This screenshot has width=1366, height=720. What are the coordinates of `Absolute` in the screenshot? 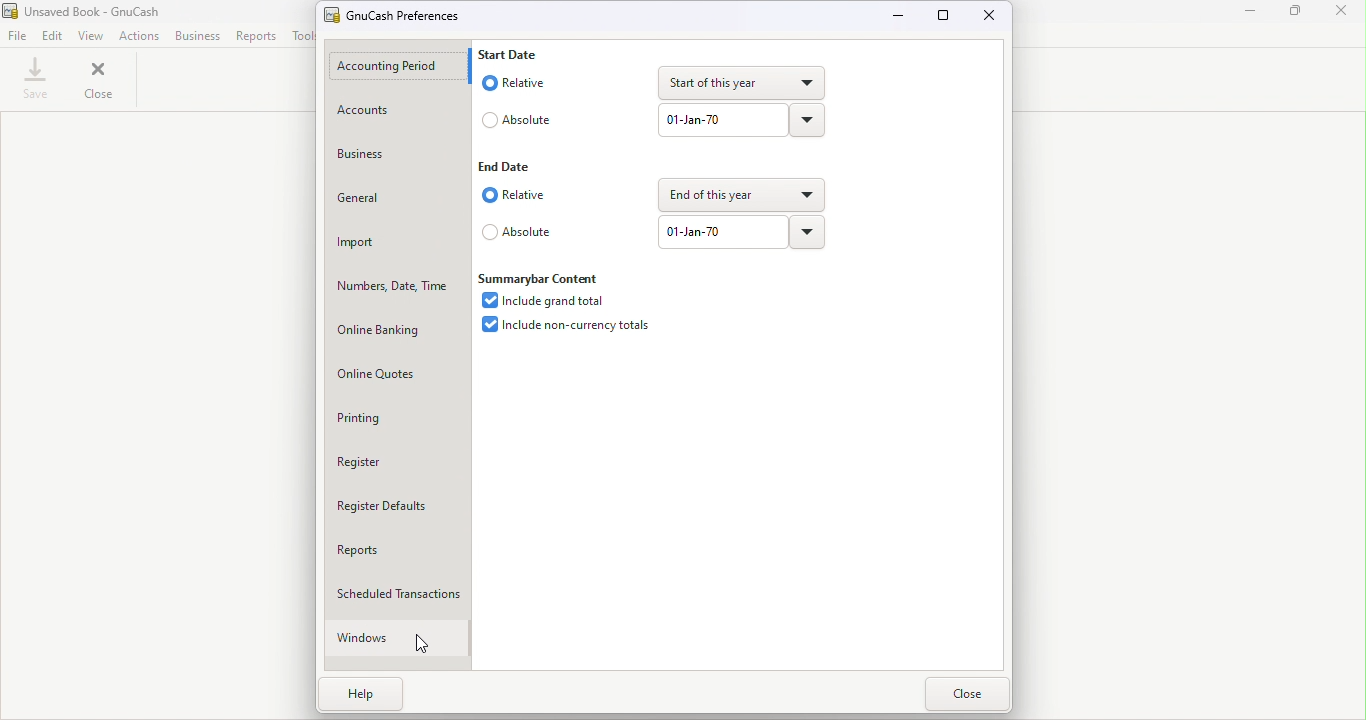 It's located at (515, 230).